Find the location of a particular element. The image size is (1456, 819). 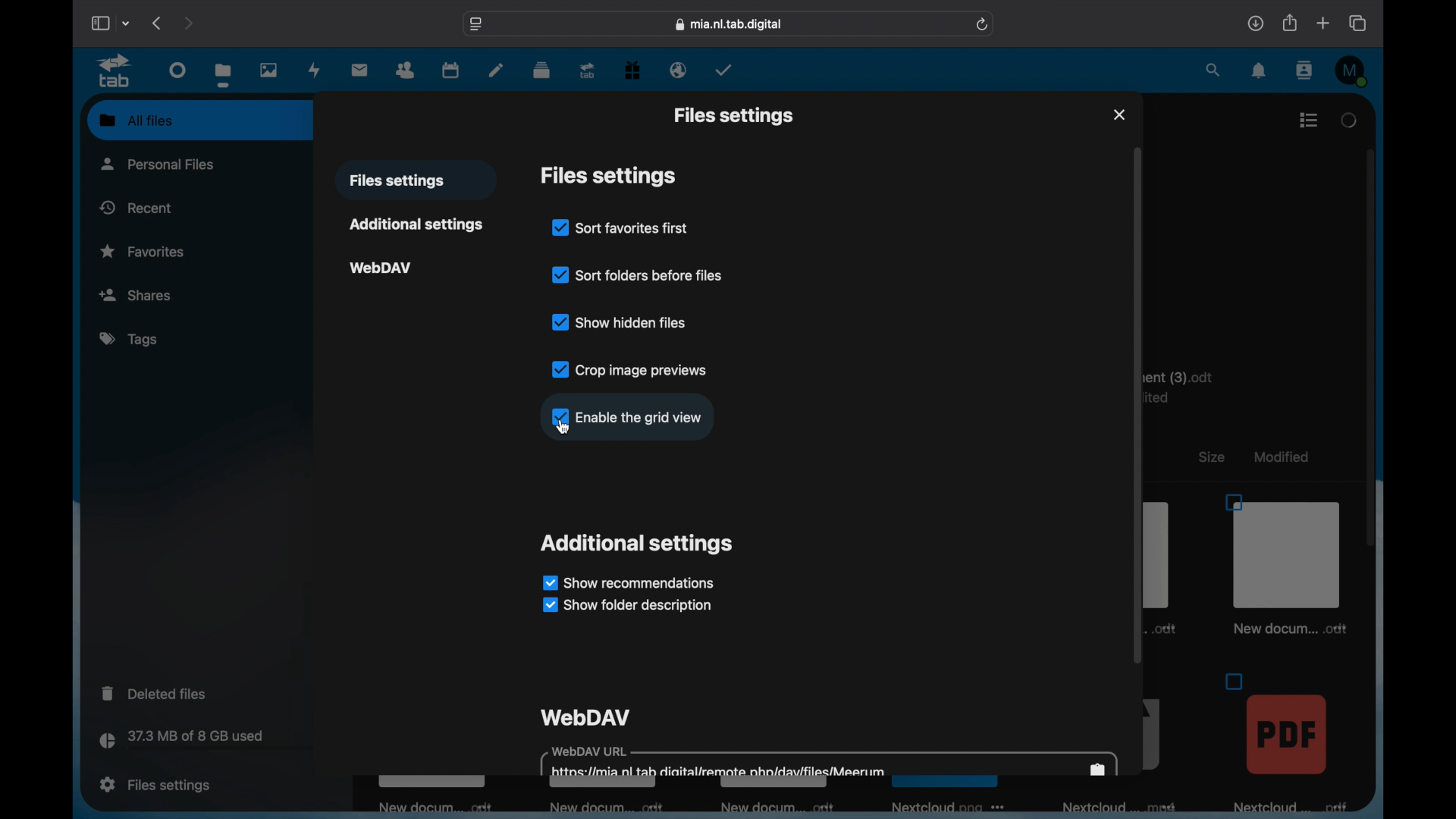

personal files is located at coordinates (161, 163).